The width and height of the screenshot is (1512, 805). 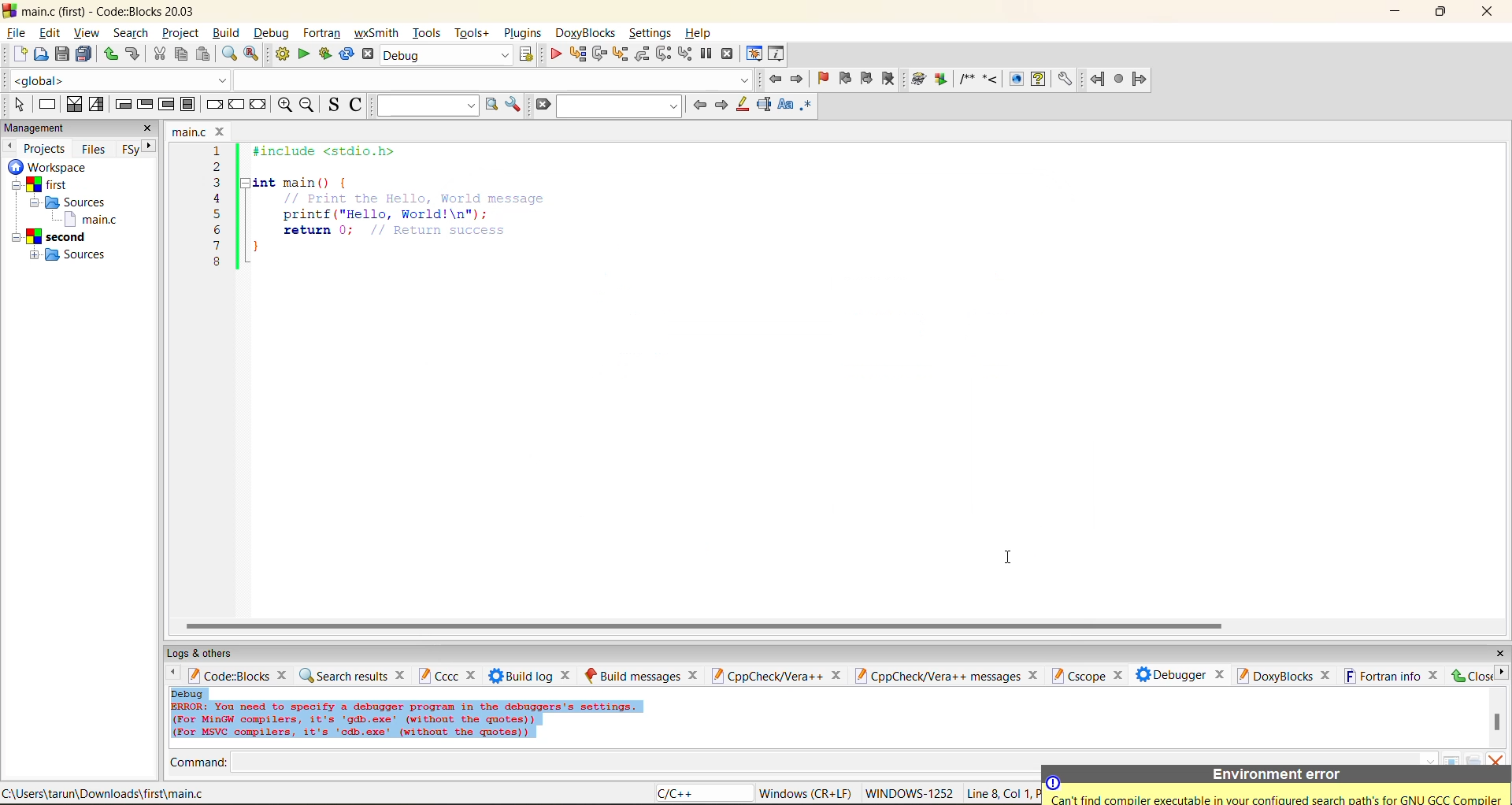 I want to click on resize, so click(x=1441, y=10).